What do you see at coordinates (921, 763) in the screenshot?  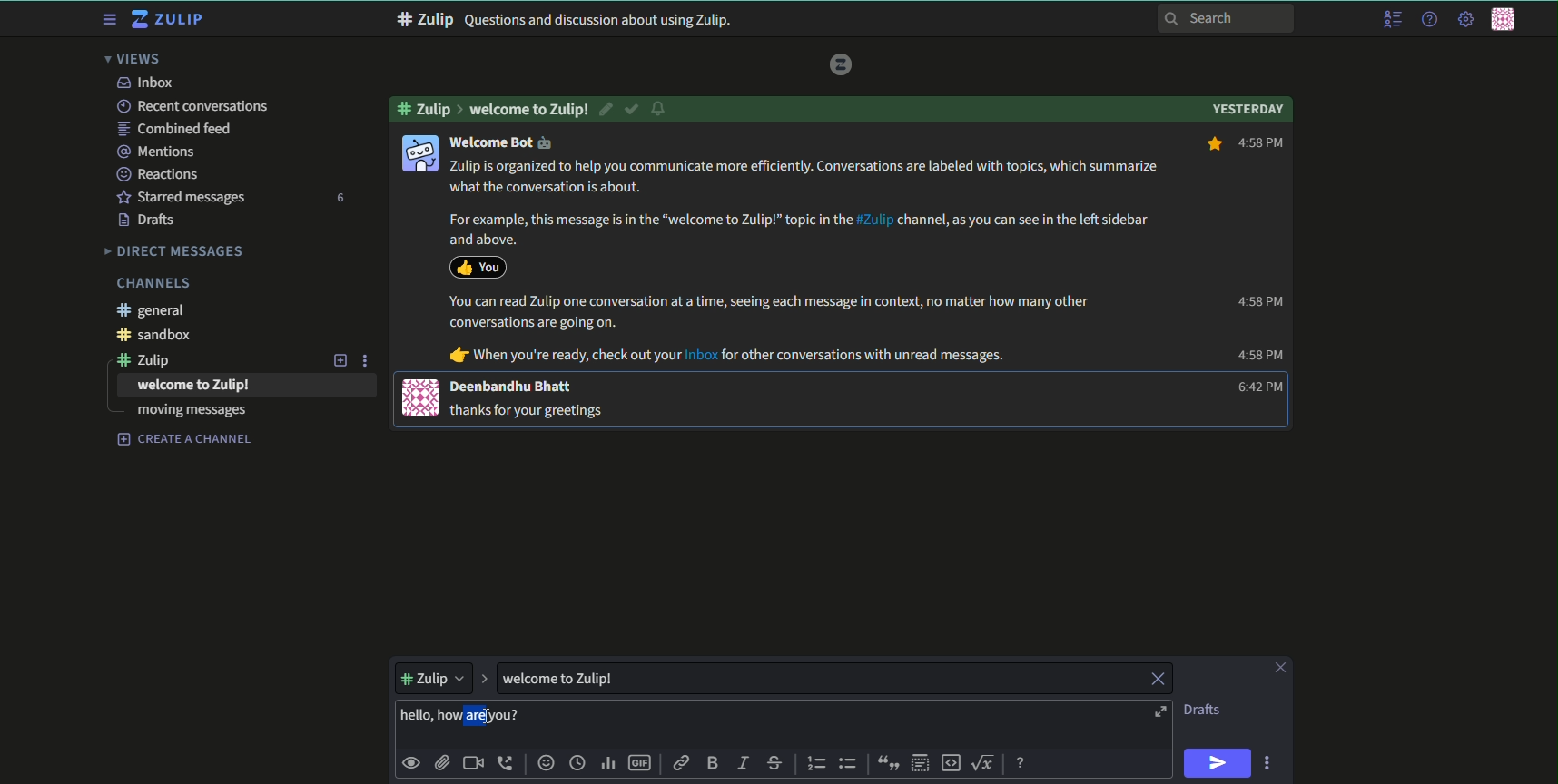 I see `spoiler` at bounding box center [921, 763].